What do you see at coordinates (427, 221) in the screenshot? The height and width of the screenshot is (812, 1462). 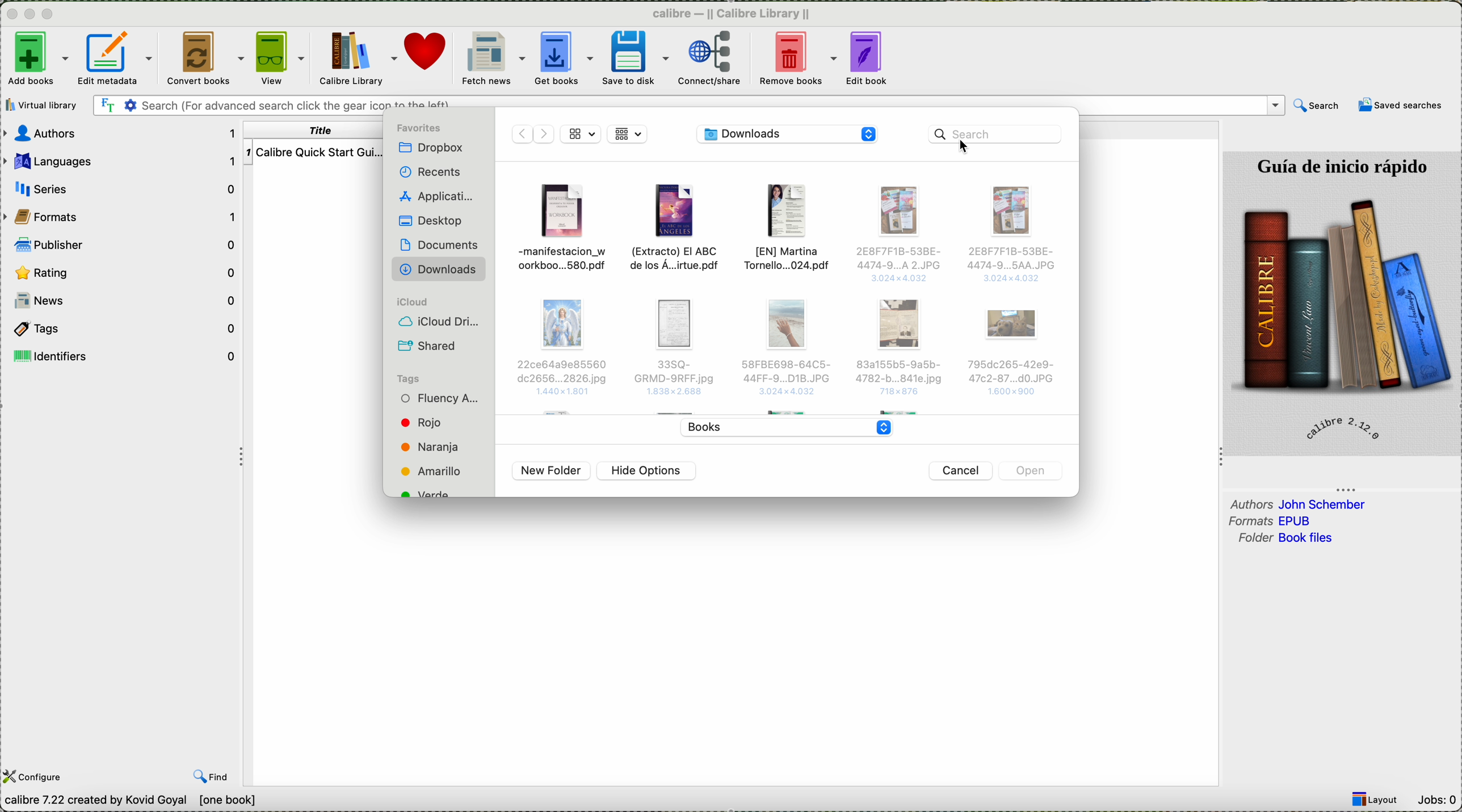 I see `desktop` at bounding box center [427, 221].